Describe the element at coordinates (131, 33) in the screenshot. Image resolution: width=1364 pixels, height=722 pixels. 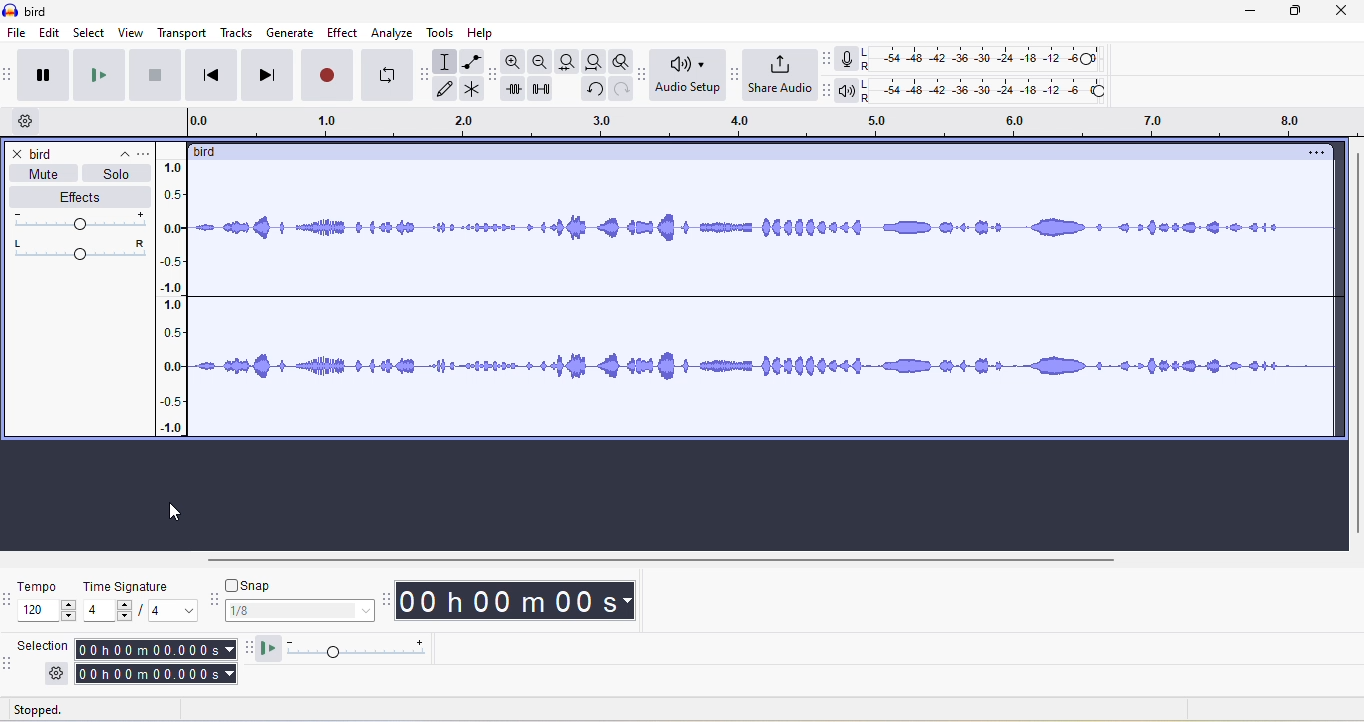
I see `view` at that location.